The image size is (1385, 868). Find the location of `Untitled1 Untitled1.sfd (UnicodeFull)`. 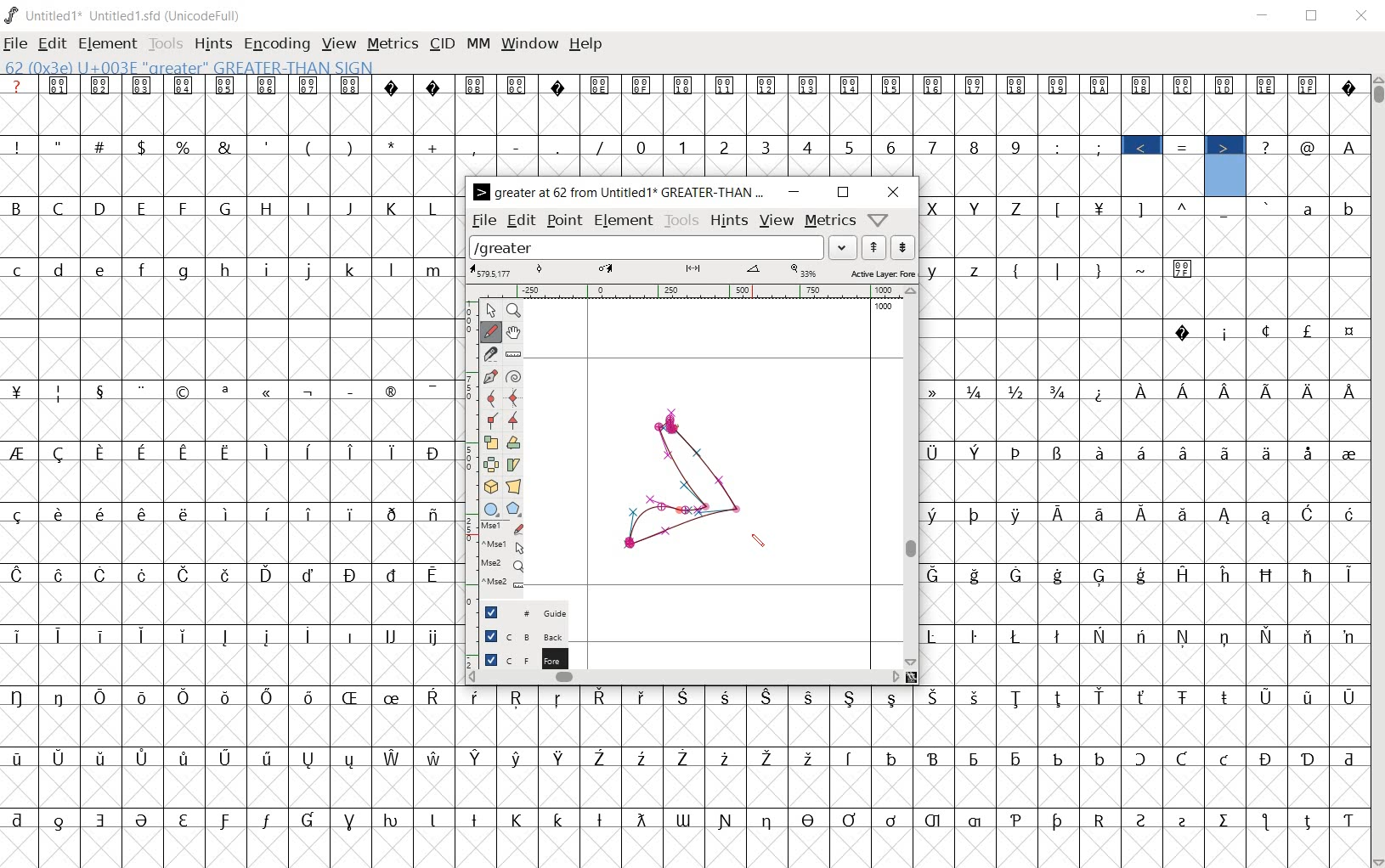

Untitled1 Untitled1.sfd (UnicodeFull) is located at coordinates (123, 13).